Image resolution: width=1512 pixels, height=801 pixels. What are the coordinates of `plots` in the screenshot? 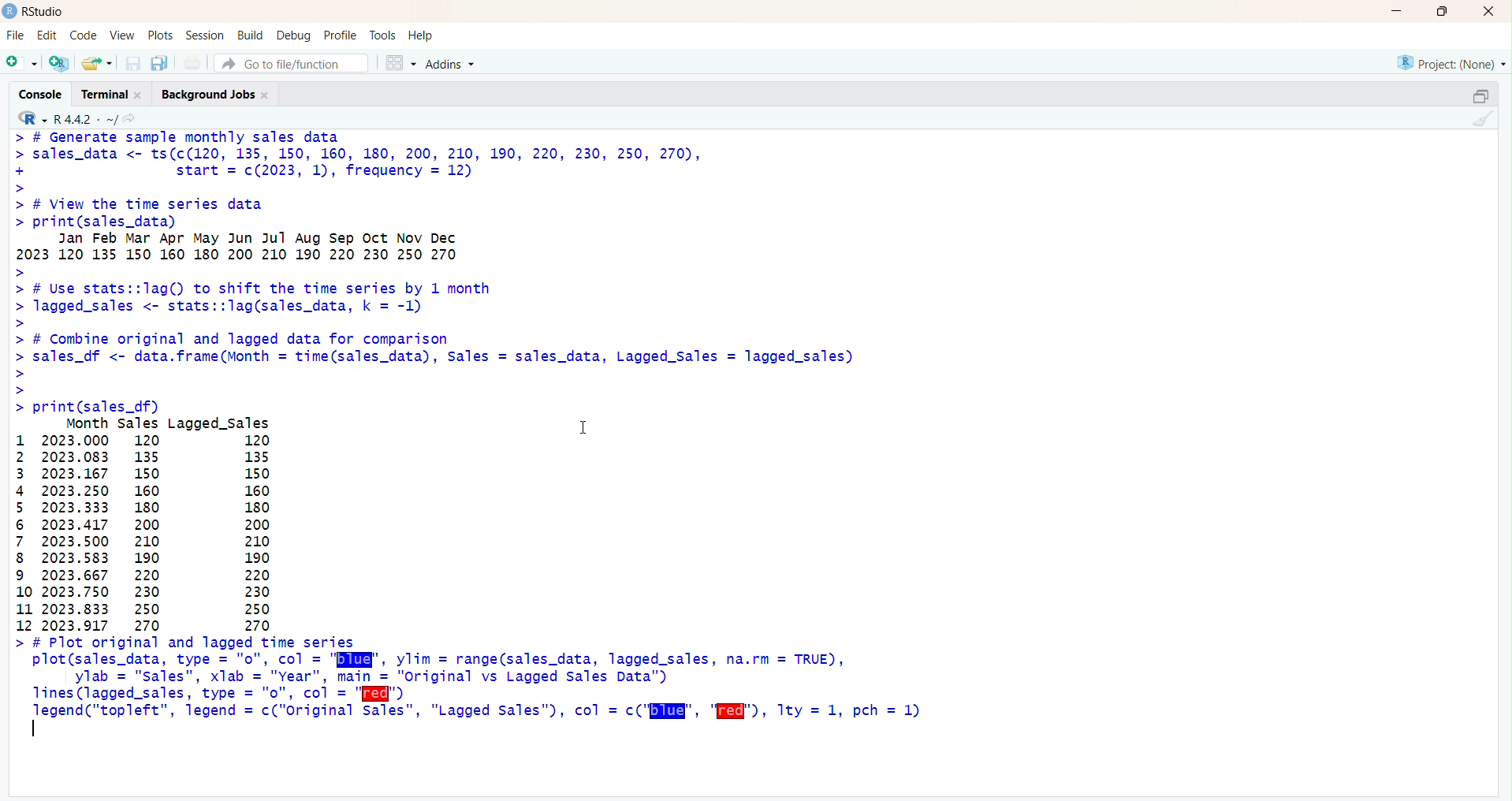 It's located at (162, 35).